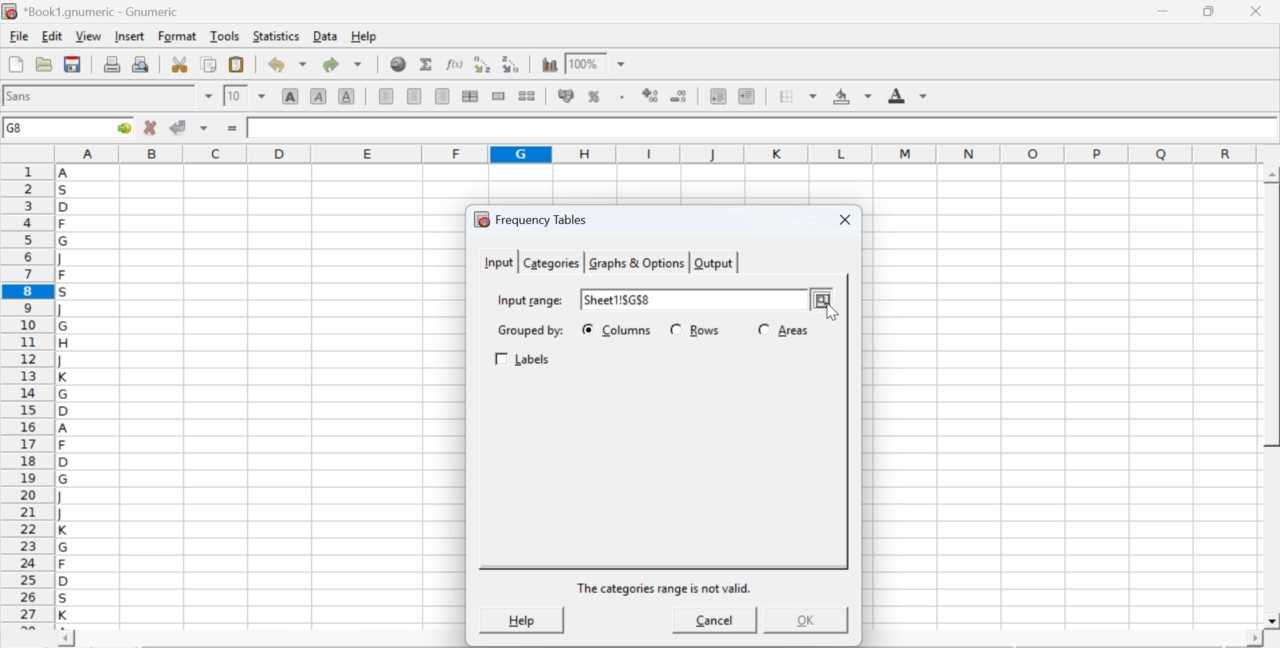 The image size is (1280, 648). I want to click on merge a range of cells, so click(499, 96).